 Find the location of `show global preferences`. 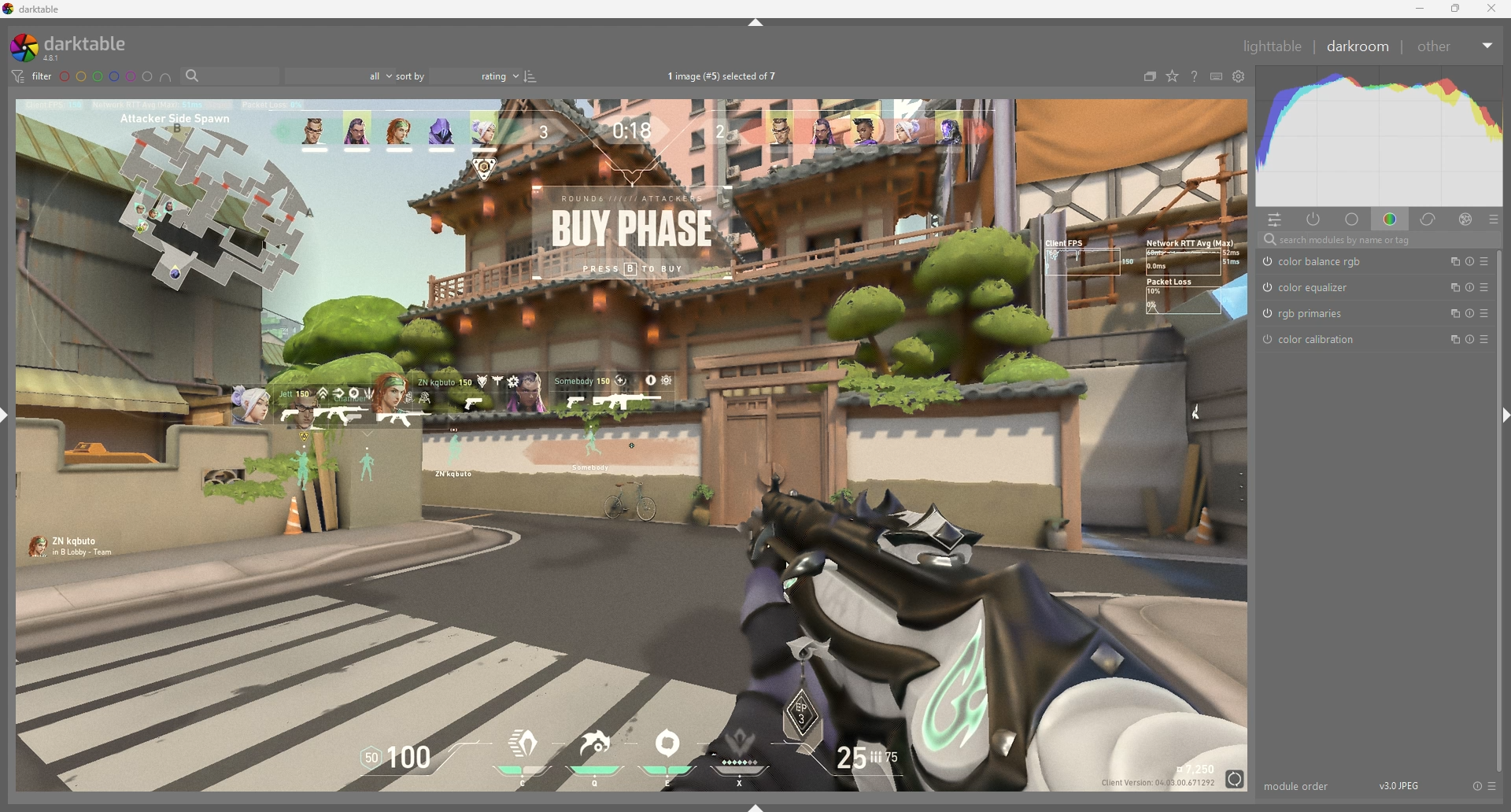

show global preferences is located at coordinates (1239, 76).